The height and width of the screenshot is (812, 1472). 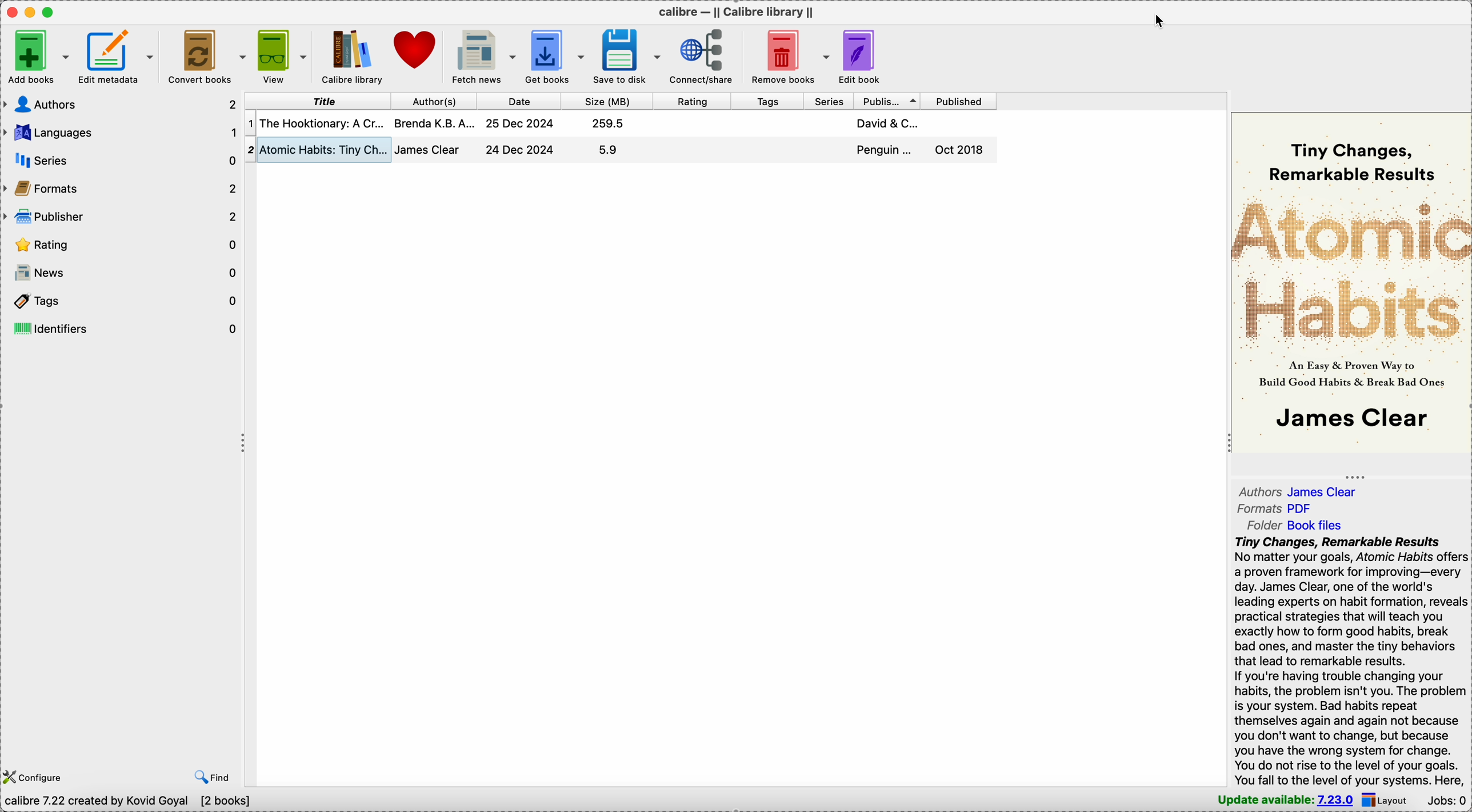 What do you see at coordinates (1229, 442) in the screenshot?
I see `toggle expand/contract` at bounding box center [1229, 442].